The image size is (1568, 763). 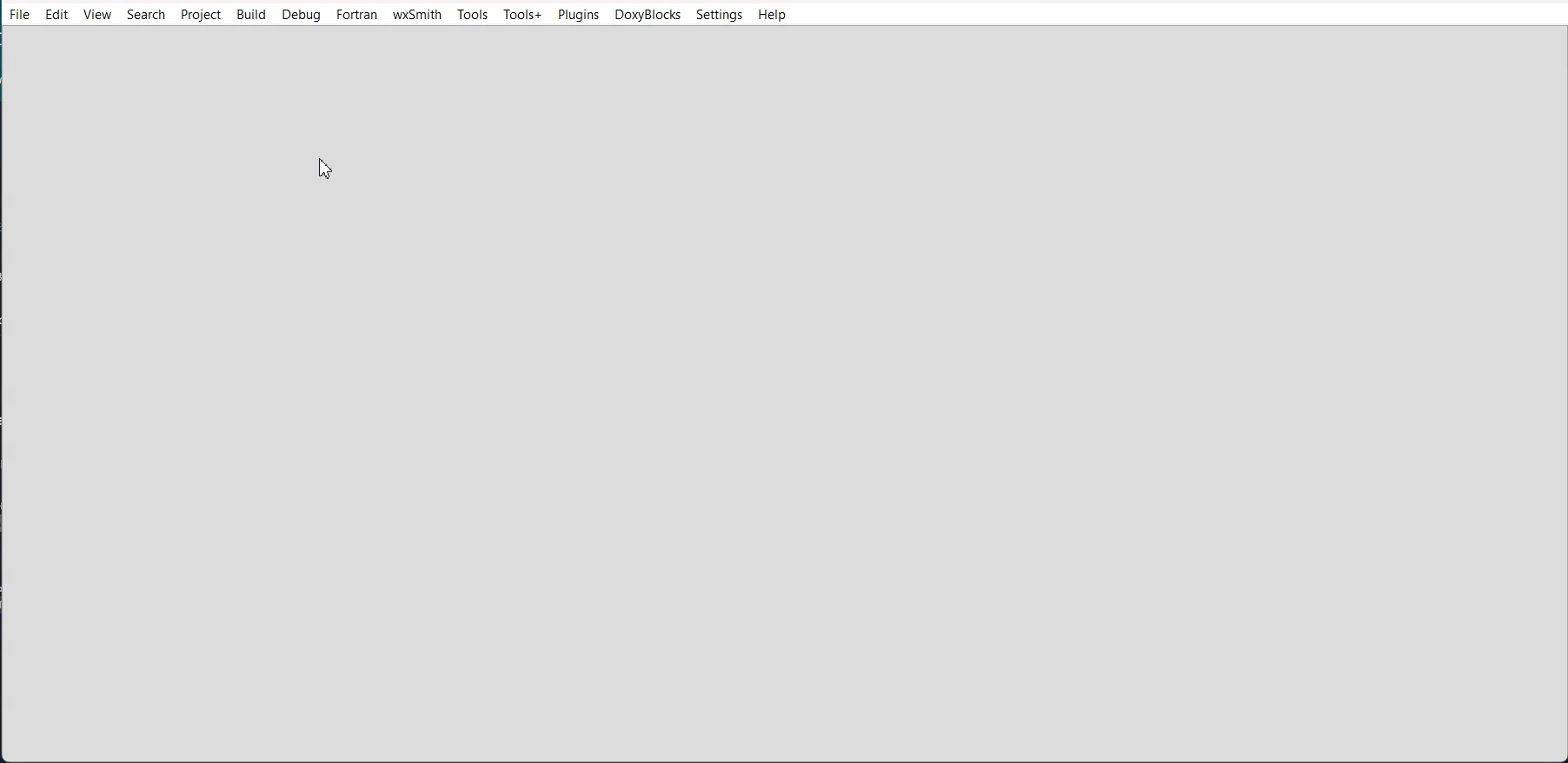 I want to click on Tools, so click(x=473, y=15).